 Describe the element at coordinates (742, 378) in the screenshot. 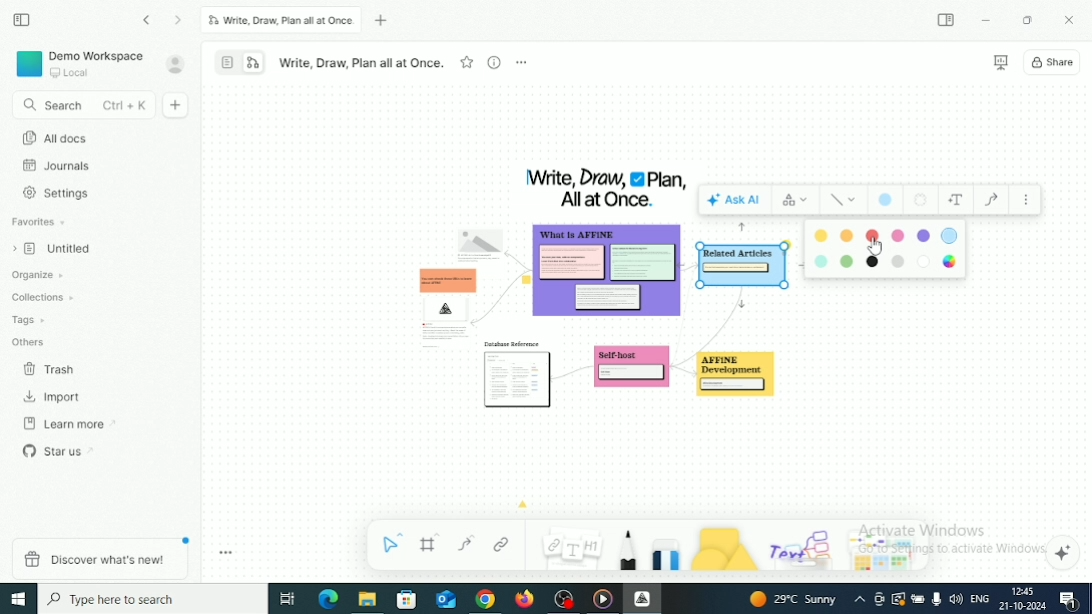

I see `Sticky notes` at that location.